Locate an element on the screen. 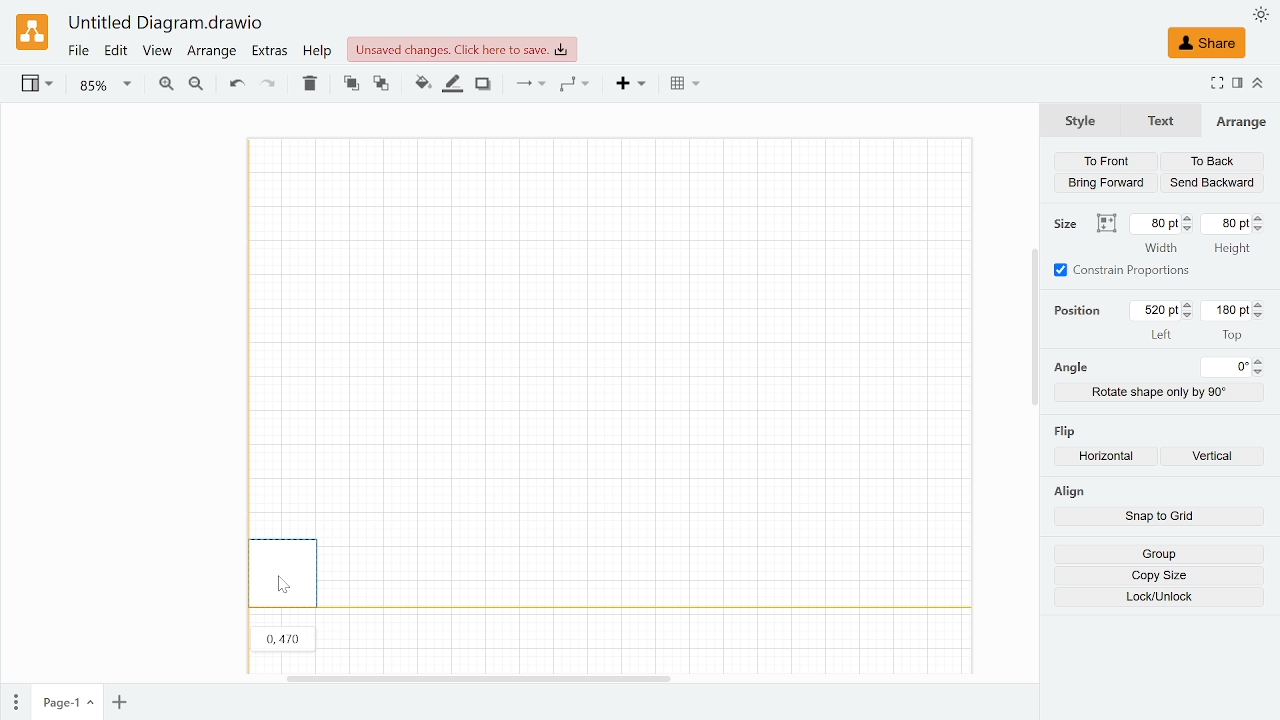 Image resolution: width=1280 pixels, height=720 pixels. Share is located at coordinates (1206, 43).